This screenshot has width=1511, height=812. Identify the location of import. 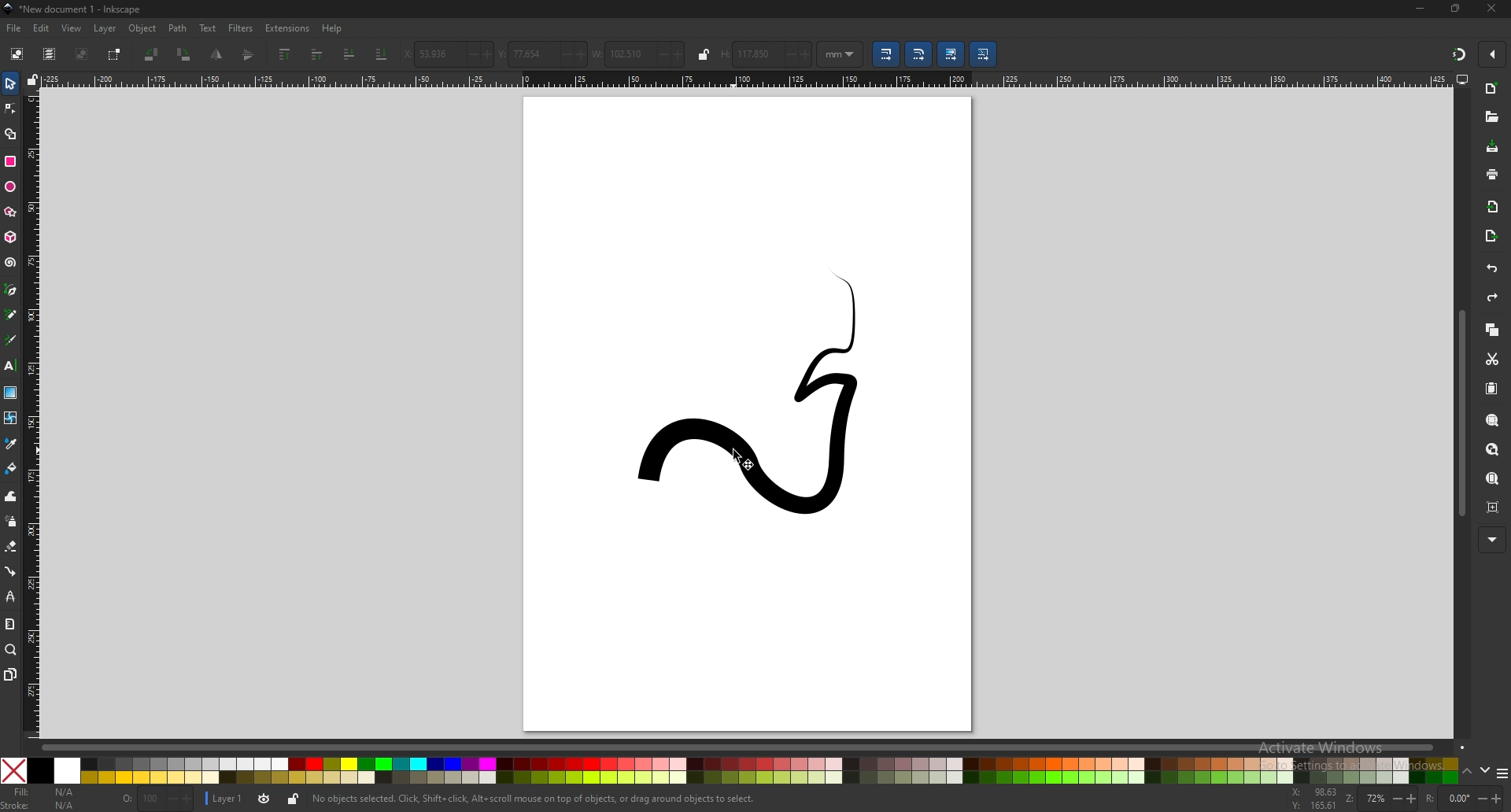
(1492, 208).